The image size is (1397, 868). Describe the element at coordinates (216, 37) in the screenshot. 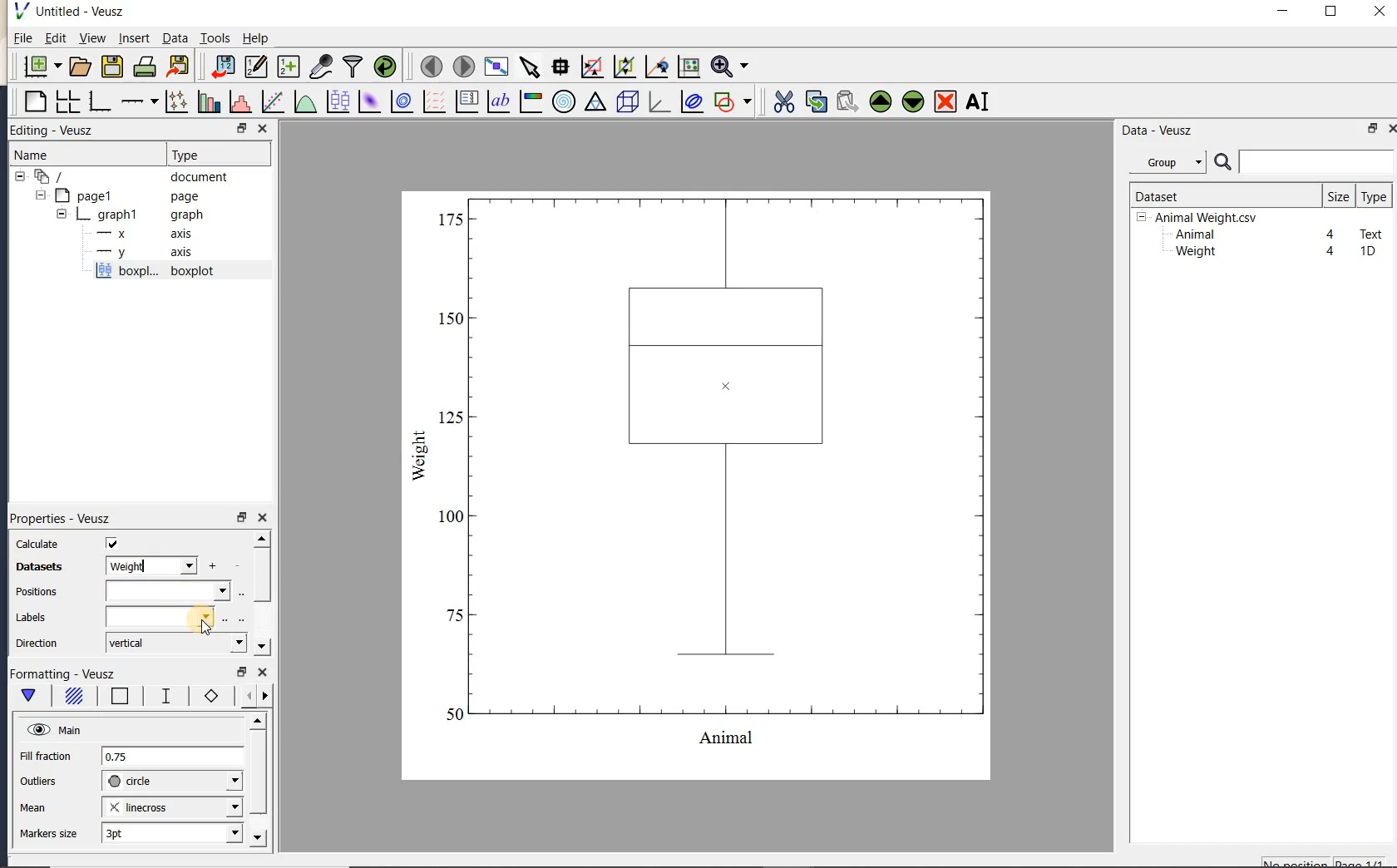

I see `Tools` at that location.